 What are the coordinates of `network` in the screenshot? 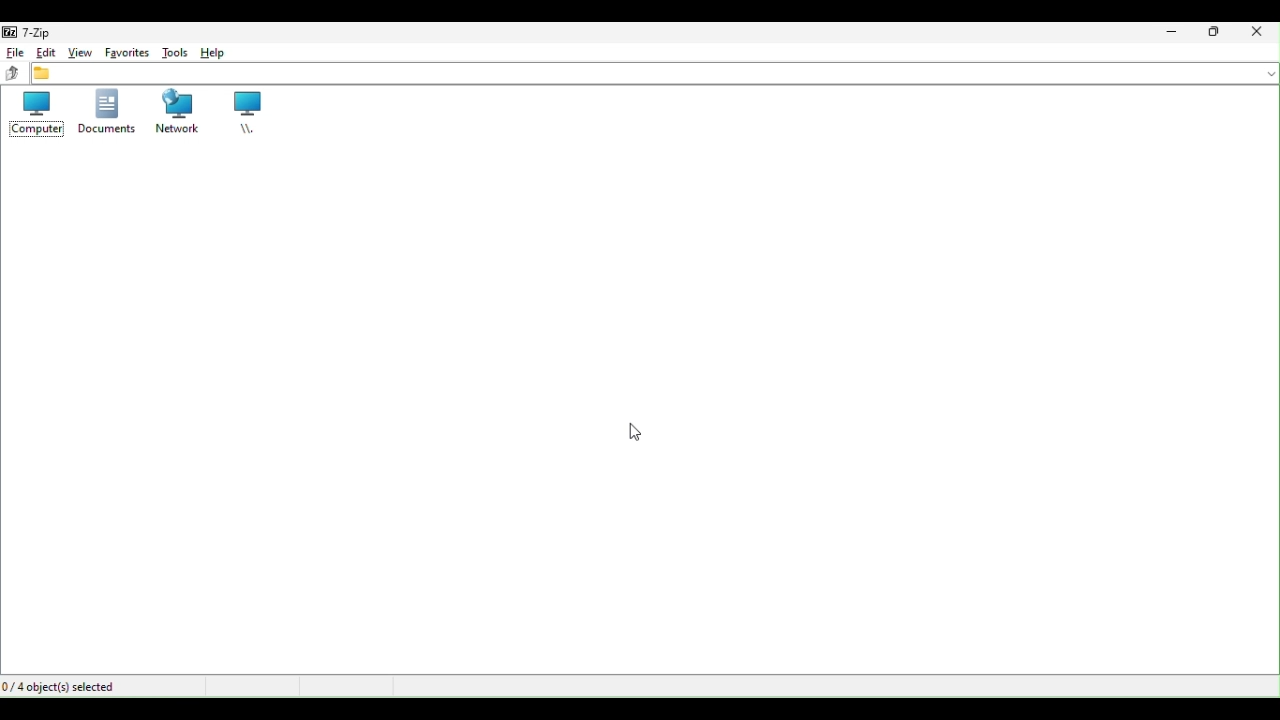 It's located at (173, 112).